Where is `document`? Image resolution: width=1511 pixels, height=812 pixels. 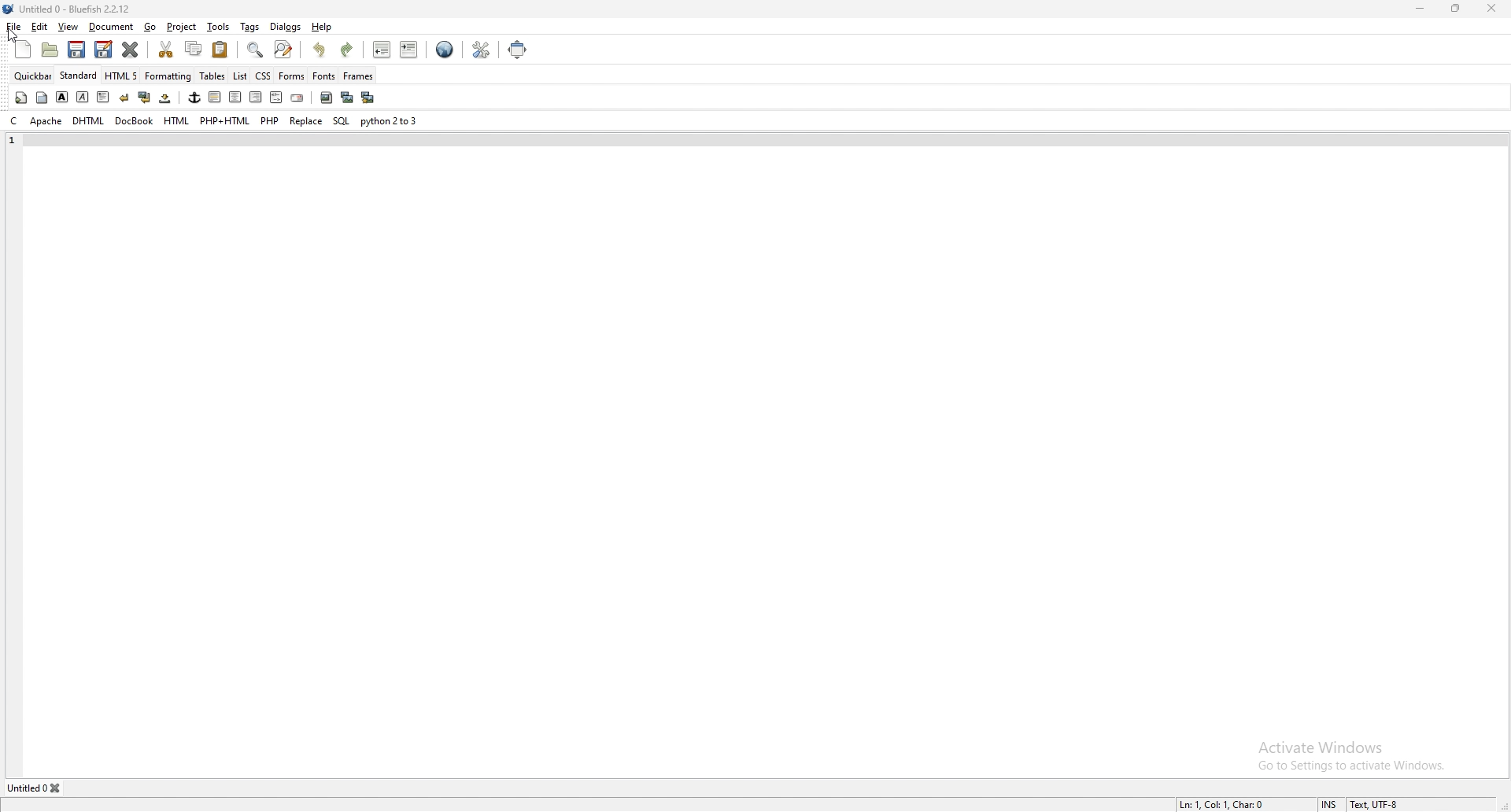
document is located at coordinates (112, 27).